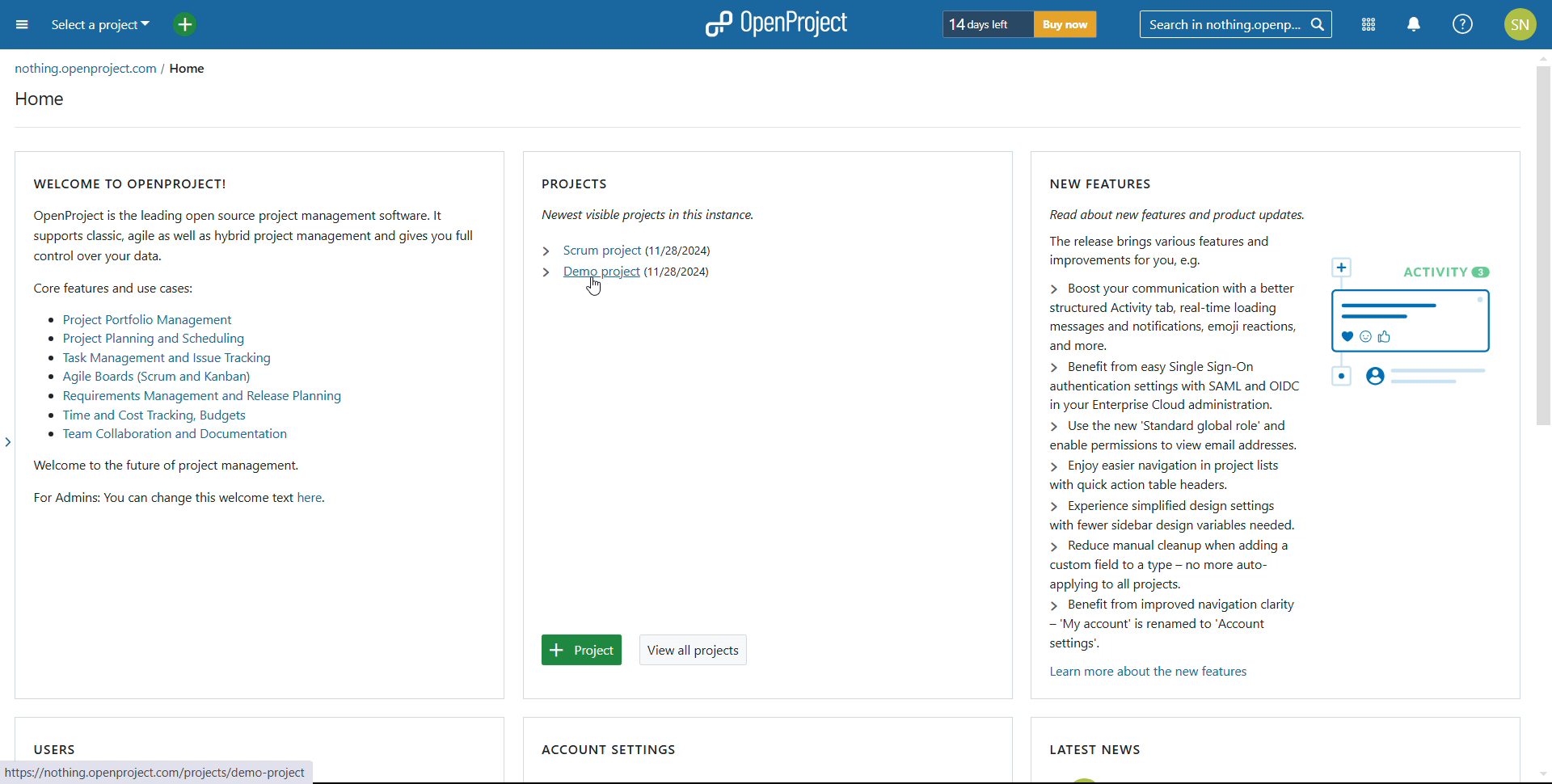  Describe the element at coordinates (23, 25) in the screenshot. I see `open sidebar menu` at that location.